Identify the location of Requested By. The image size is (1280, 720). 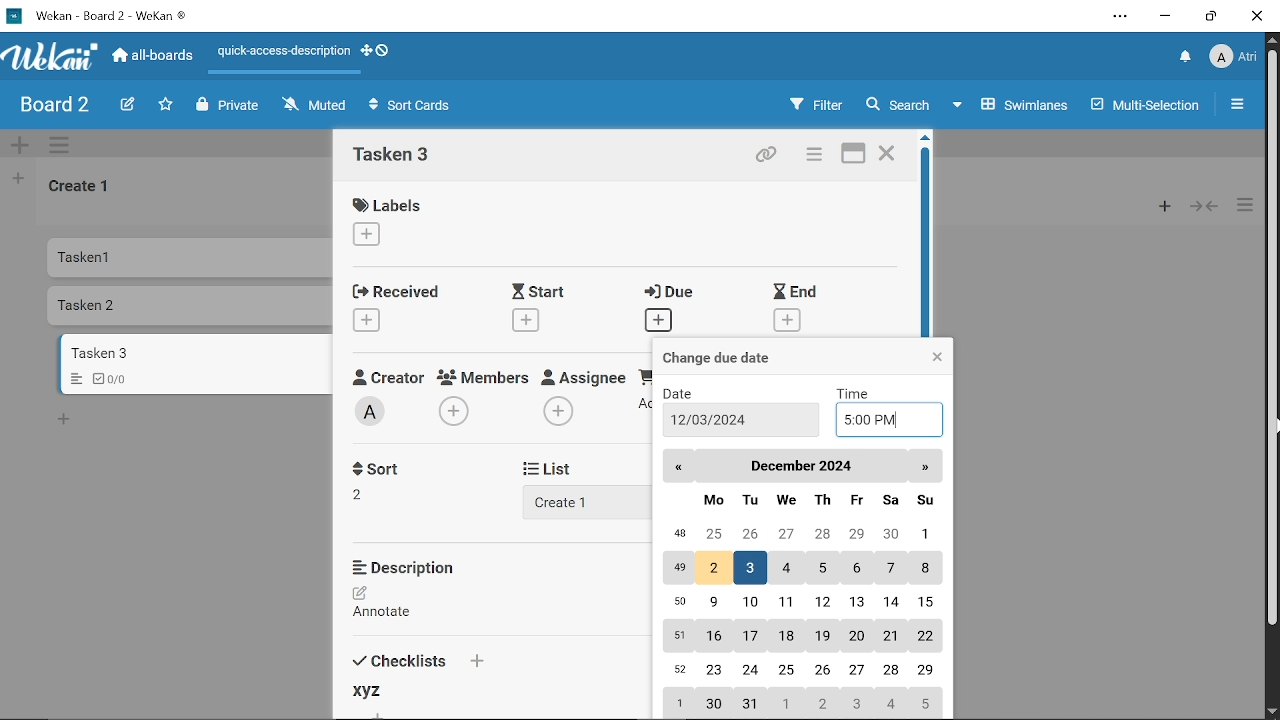
(645, 375).